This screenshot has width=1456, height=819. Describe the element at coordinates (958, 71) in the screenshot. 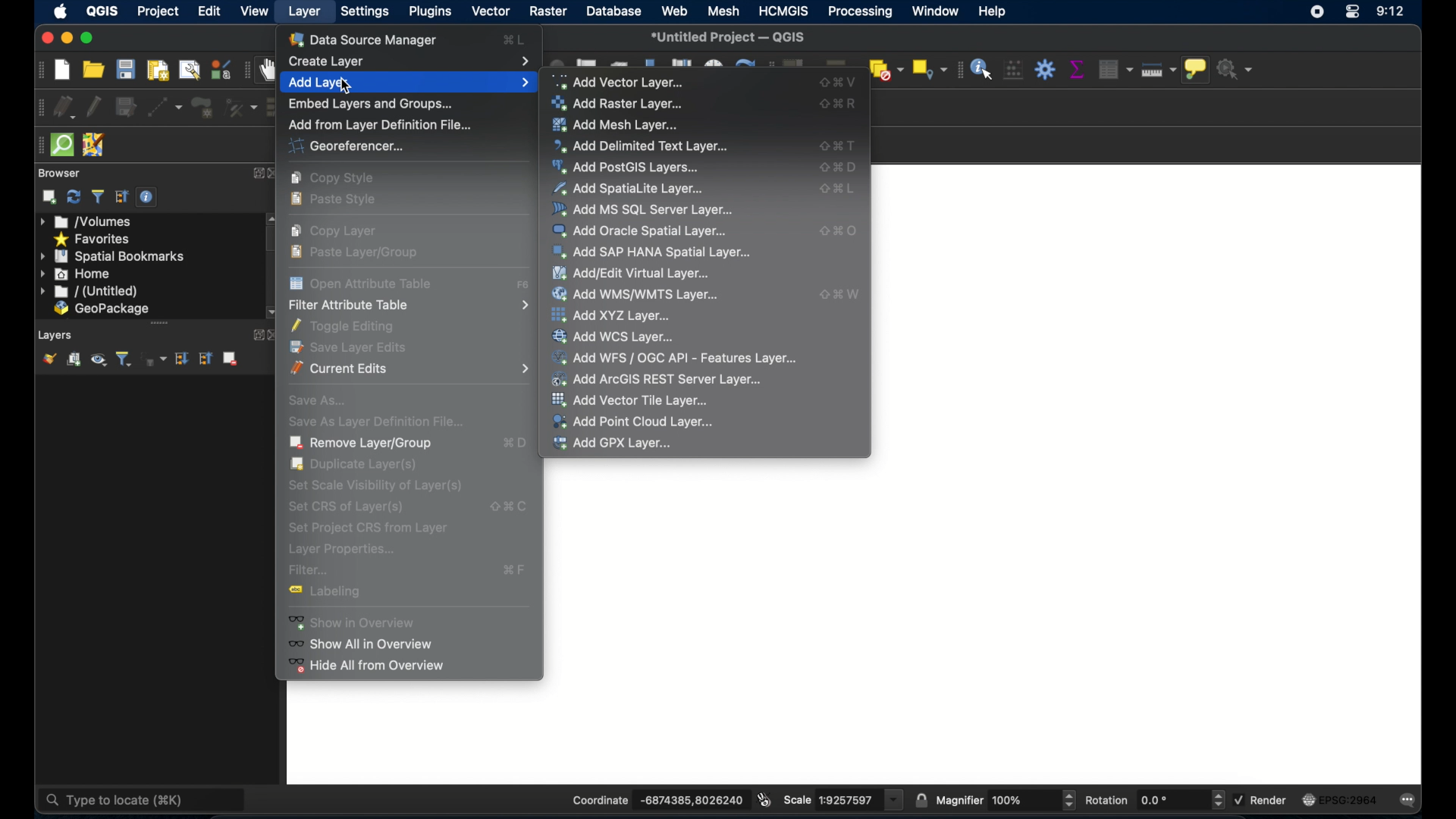

I see `attribute toolbar` at that location.